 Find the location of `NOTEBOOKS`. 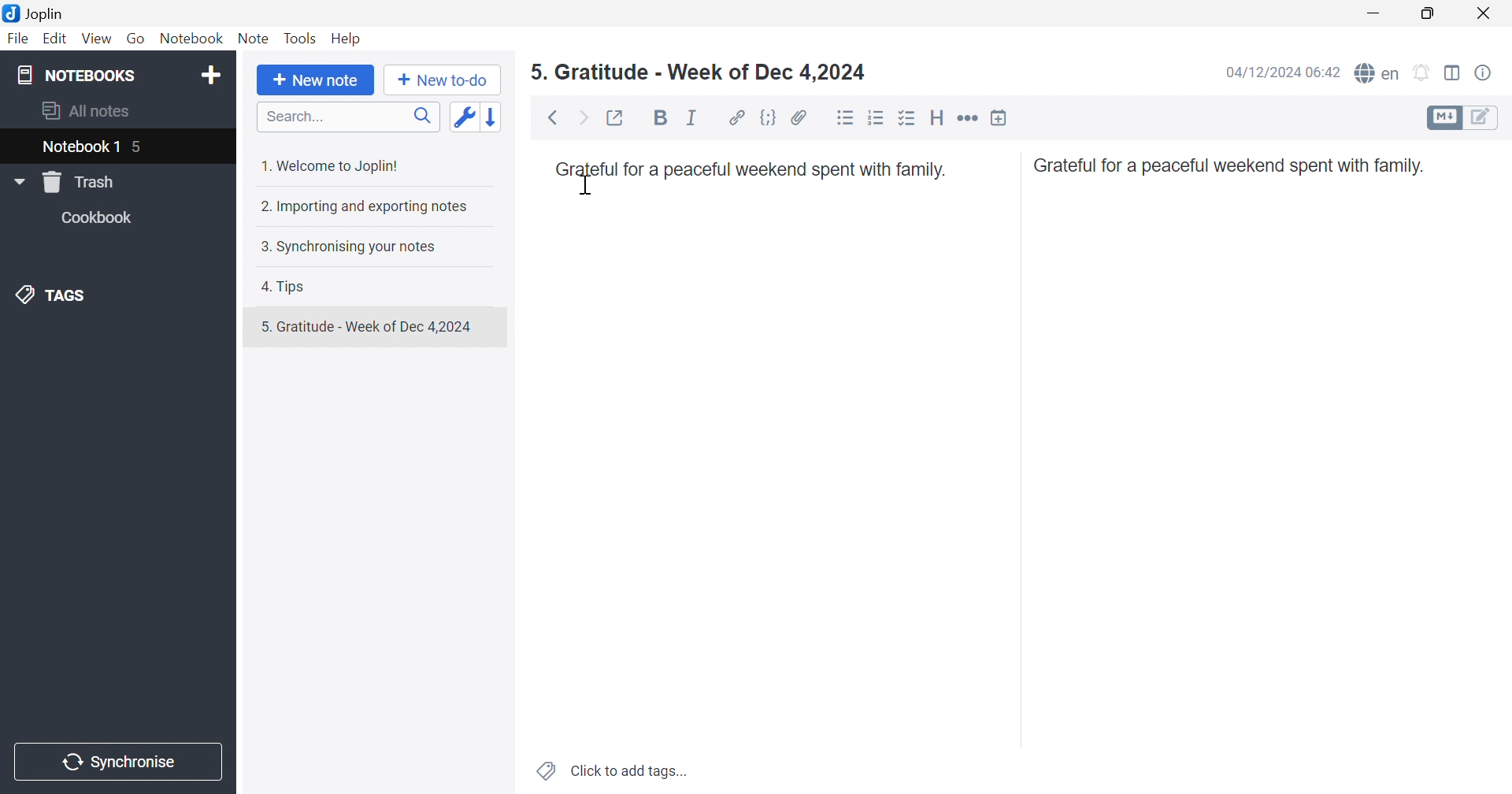

NOTEBOOKS is located at coordinates (73, 74).